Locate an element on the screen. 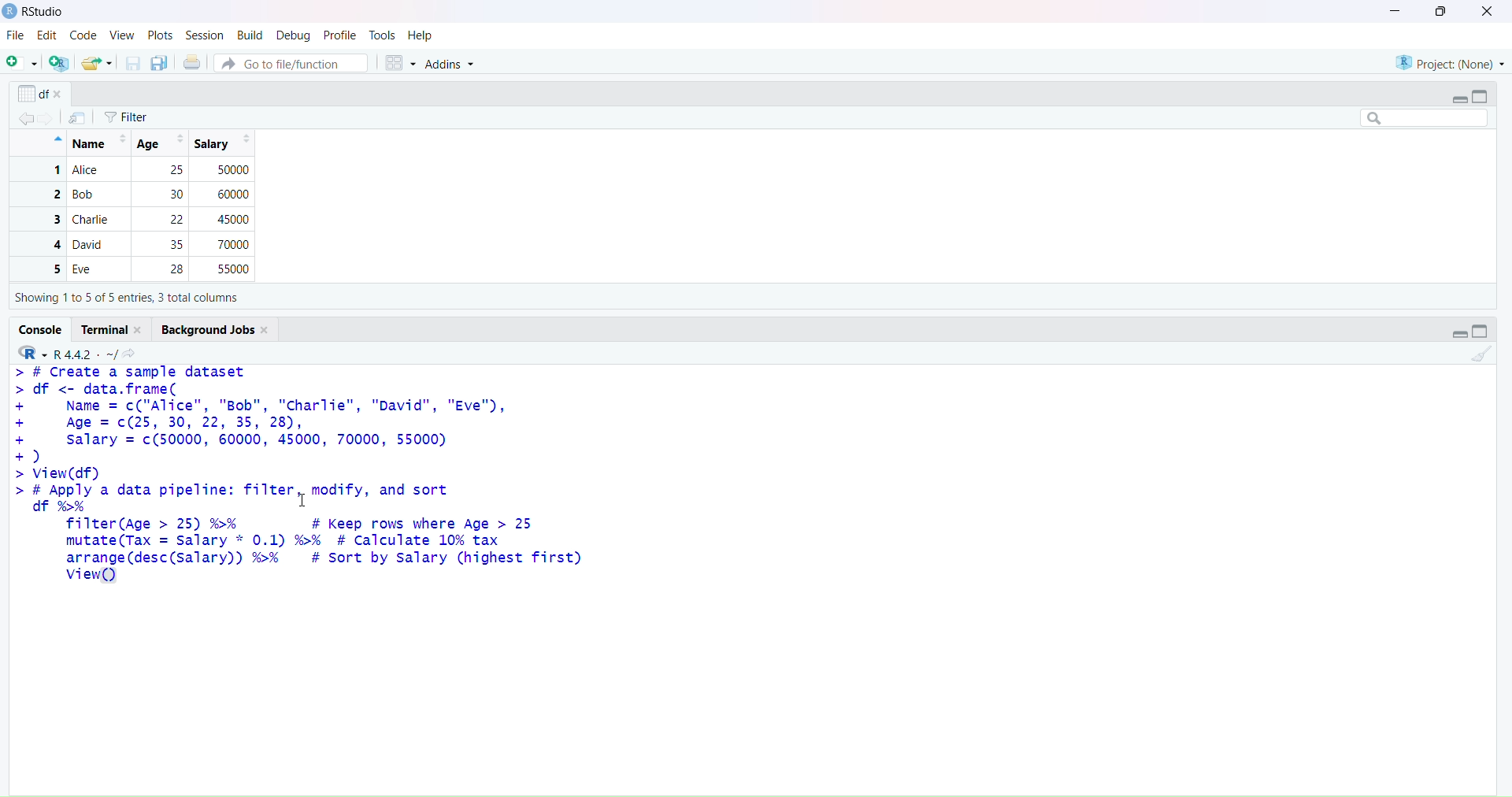 The image size is (1512, 797). Showing 1to 5 of 5 entries, 3 total columns is located at coordinates (127, 299).